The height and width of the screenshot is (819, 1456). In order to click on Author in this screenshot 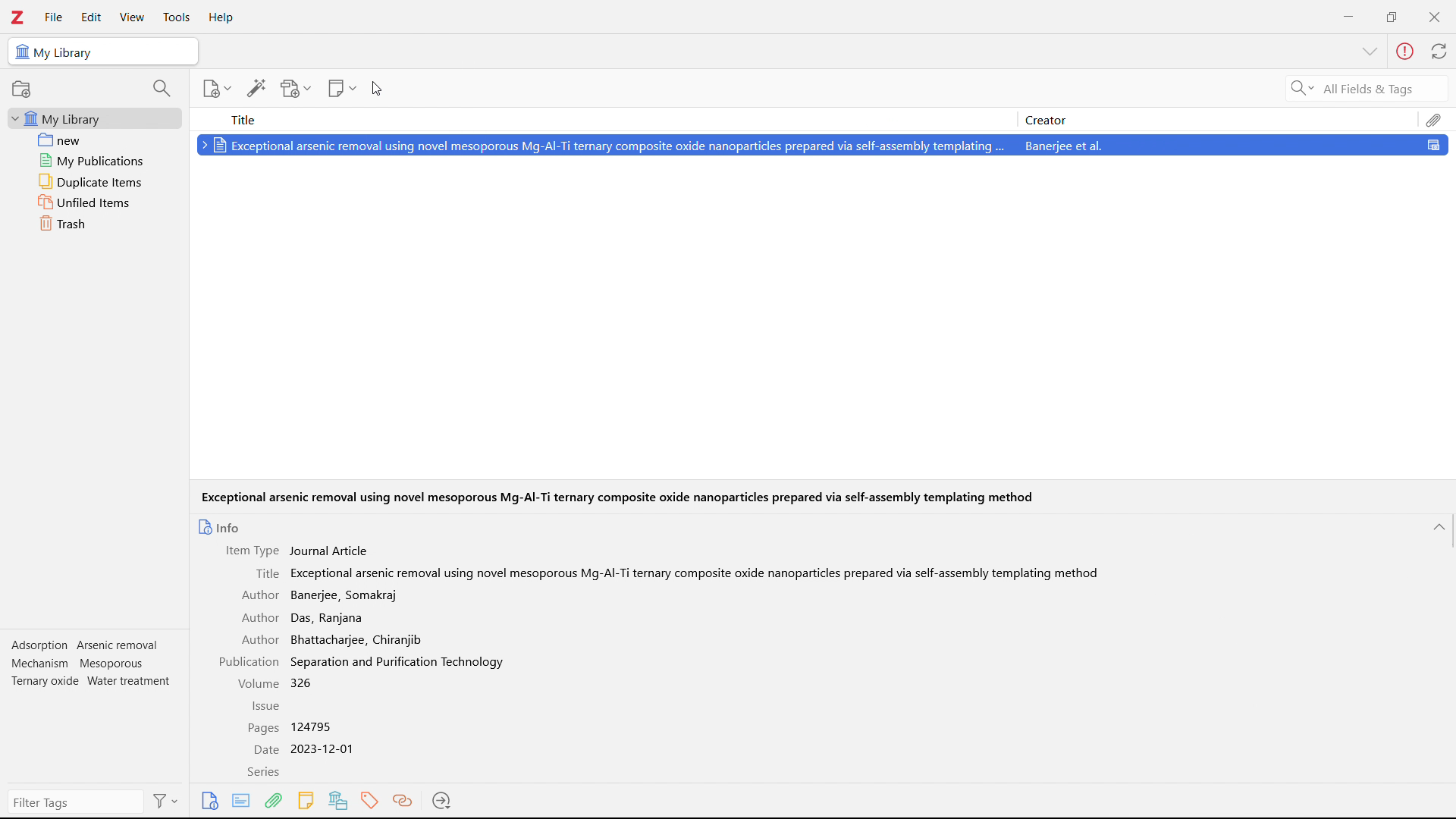, I will do `click(262, 595)`.